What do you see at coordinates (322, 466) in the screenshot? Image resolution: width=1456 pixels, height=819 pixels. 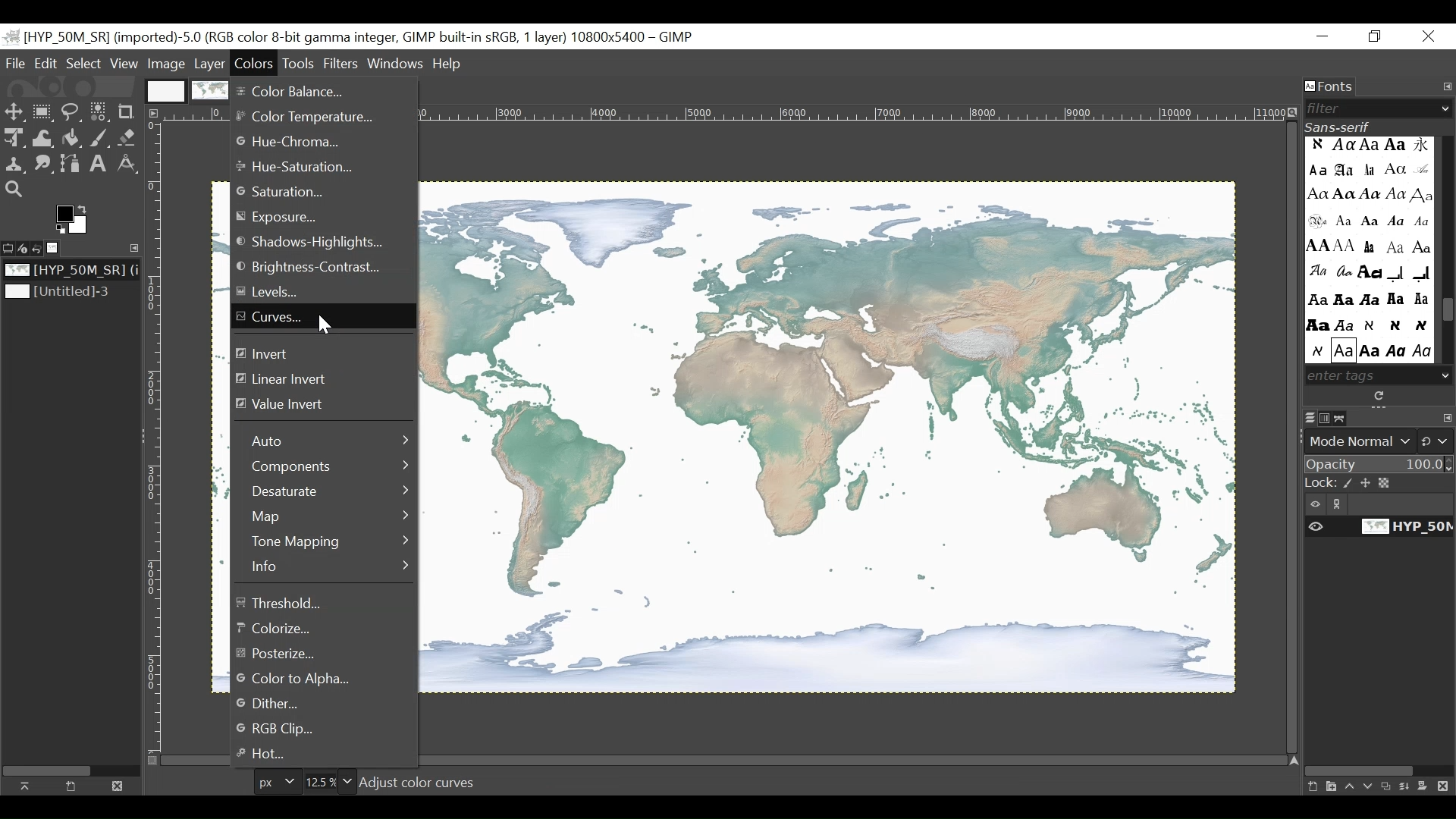 I see `Components` at bounding box center [322, 466].